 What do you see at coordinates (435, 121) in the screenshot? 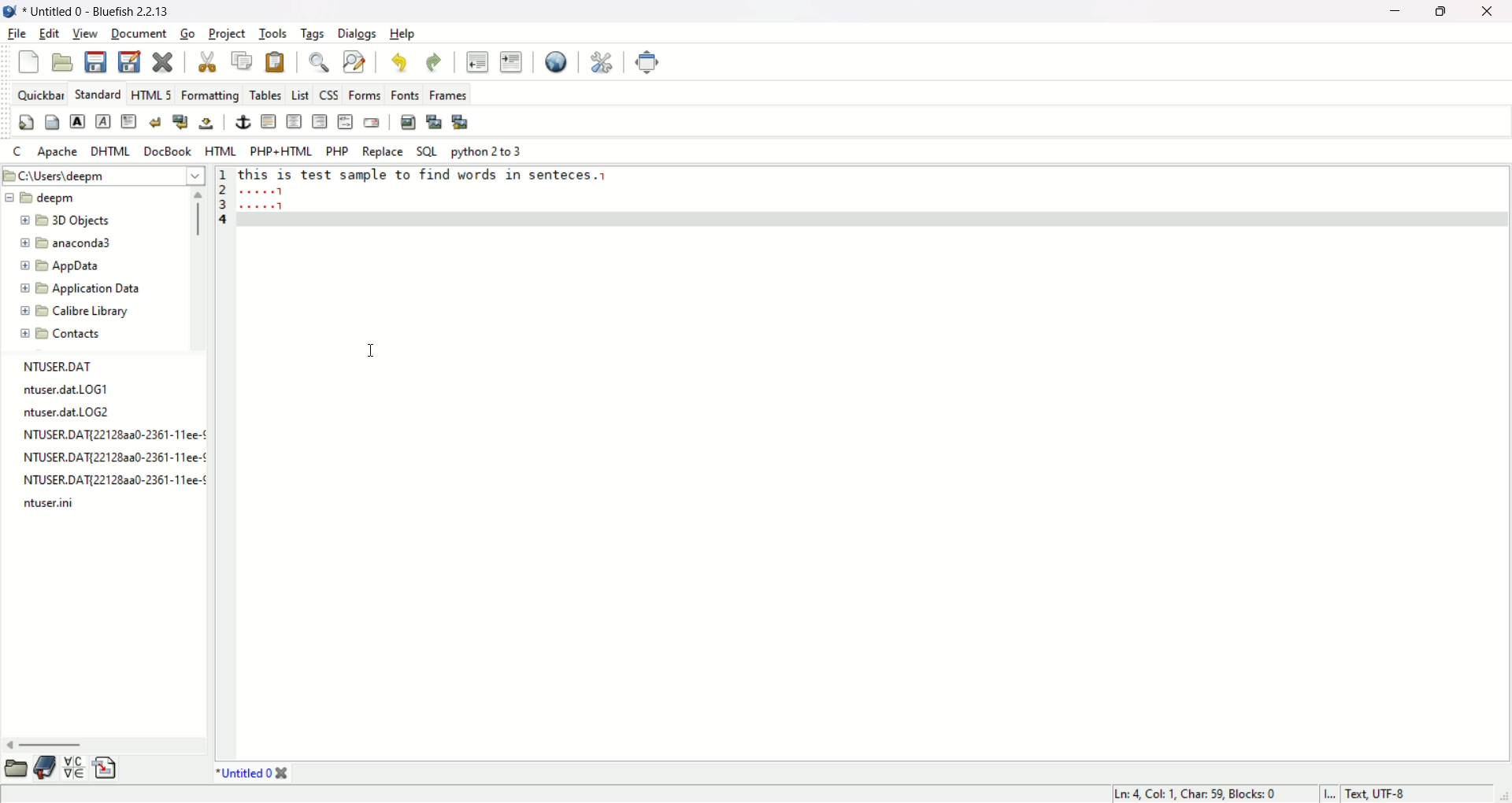
I see `insert thumbnail` at bounding box center [435, 121].